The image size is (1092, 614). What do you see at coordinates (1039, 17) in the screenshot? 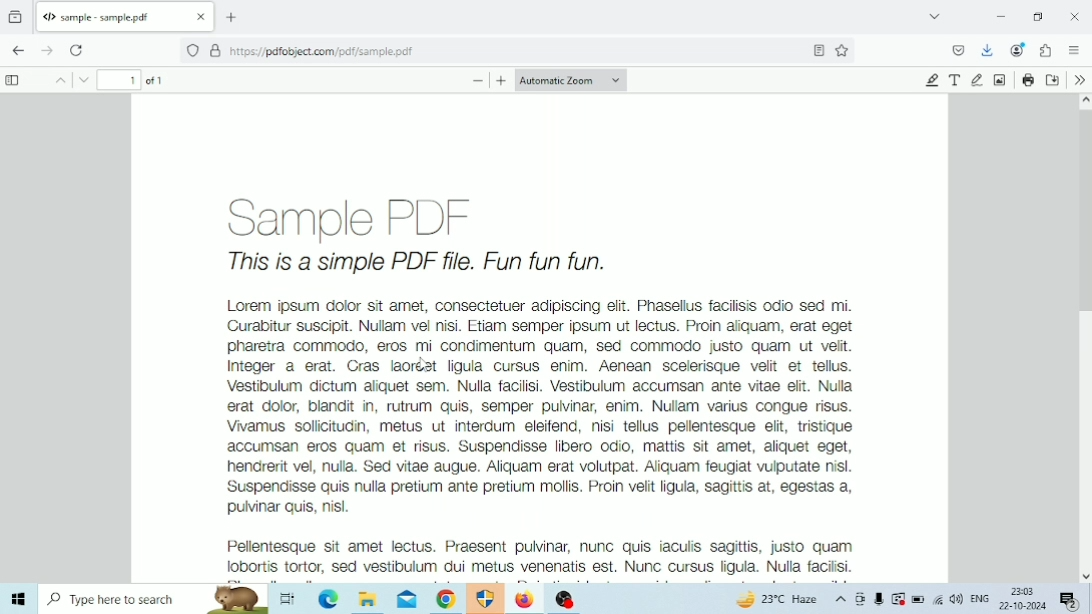
I see `Restore Down` at bounding box center [1039, 17].